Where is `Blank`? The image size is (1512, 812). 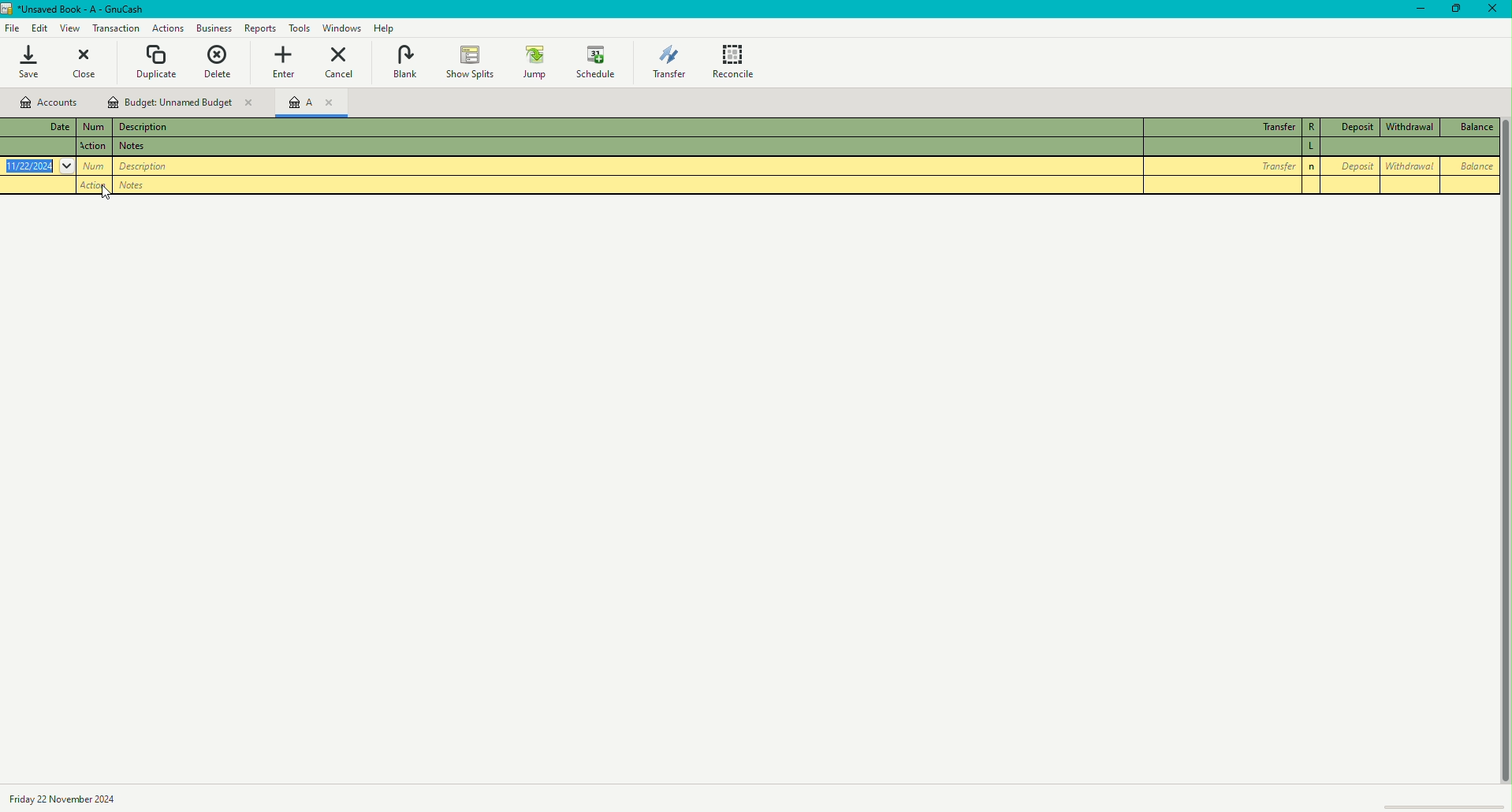 Blank is located at coordinates (404, 61).